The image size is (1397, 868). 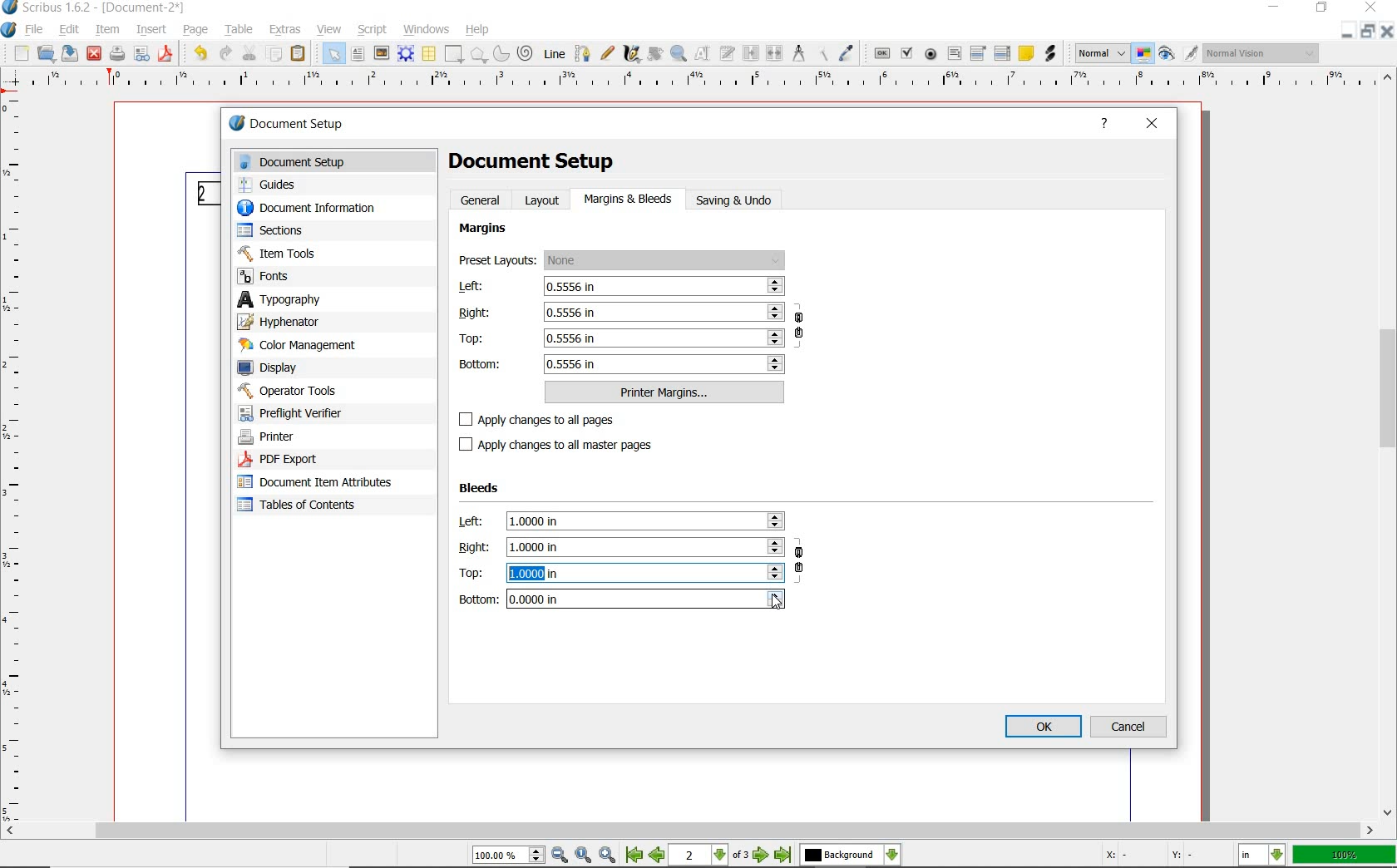 I want to click on save, so click(x=70, y=54).